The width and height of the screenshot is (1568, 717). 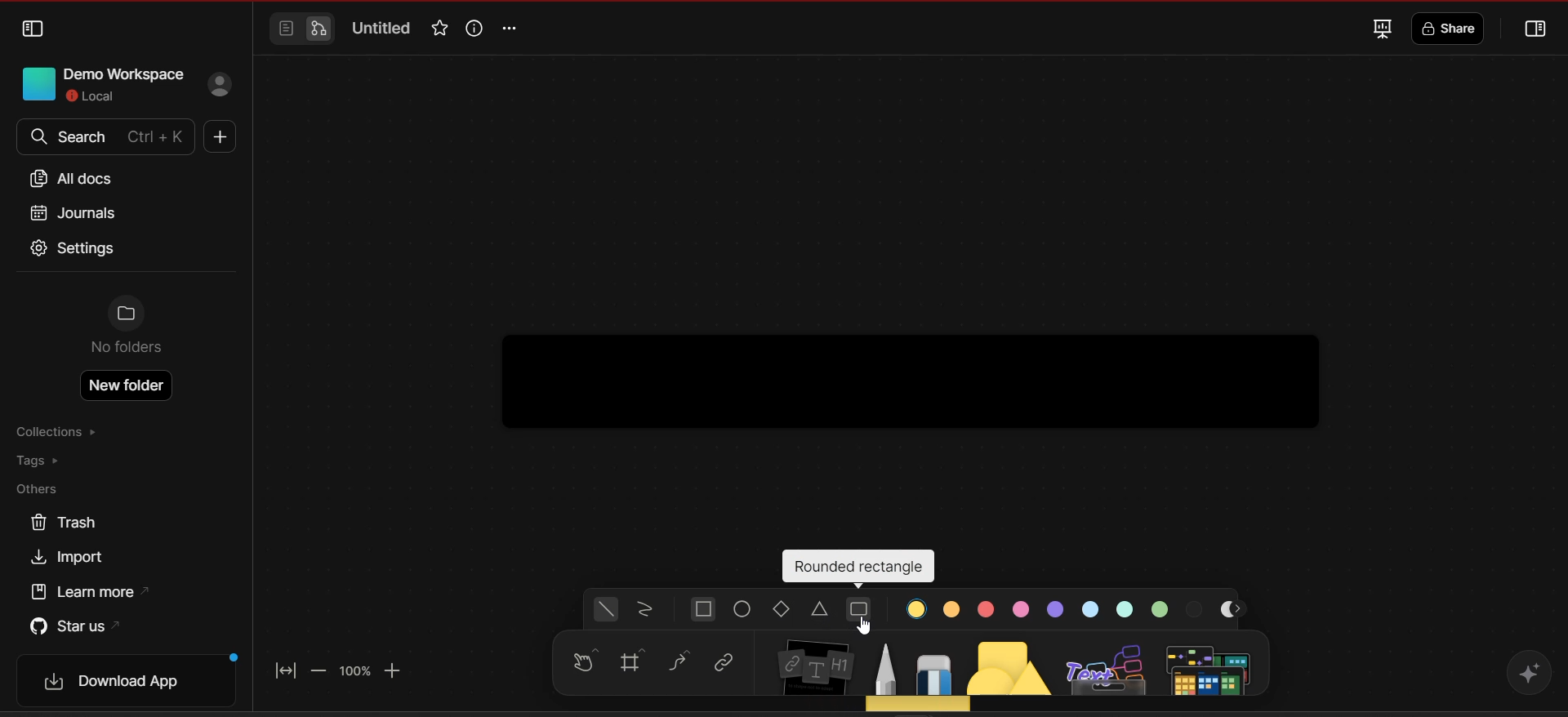 I want to click on all docs, so click(x=78, y=179).